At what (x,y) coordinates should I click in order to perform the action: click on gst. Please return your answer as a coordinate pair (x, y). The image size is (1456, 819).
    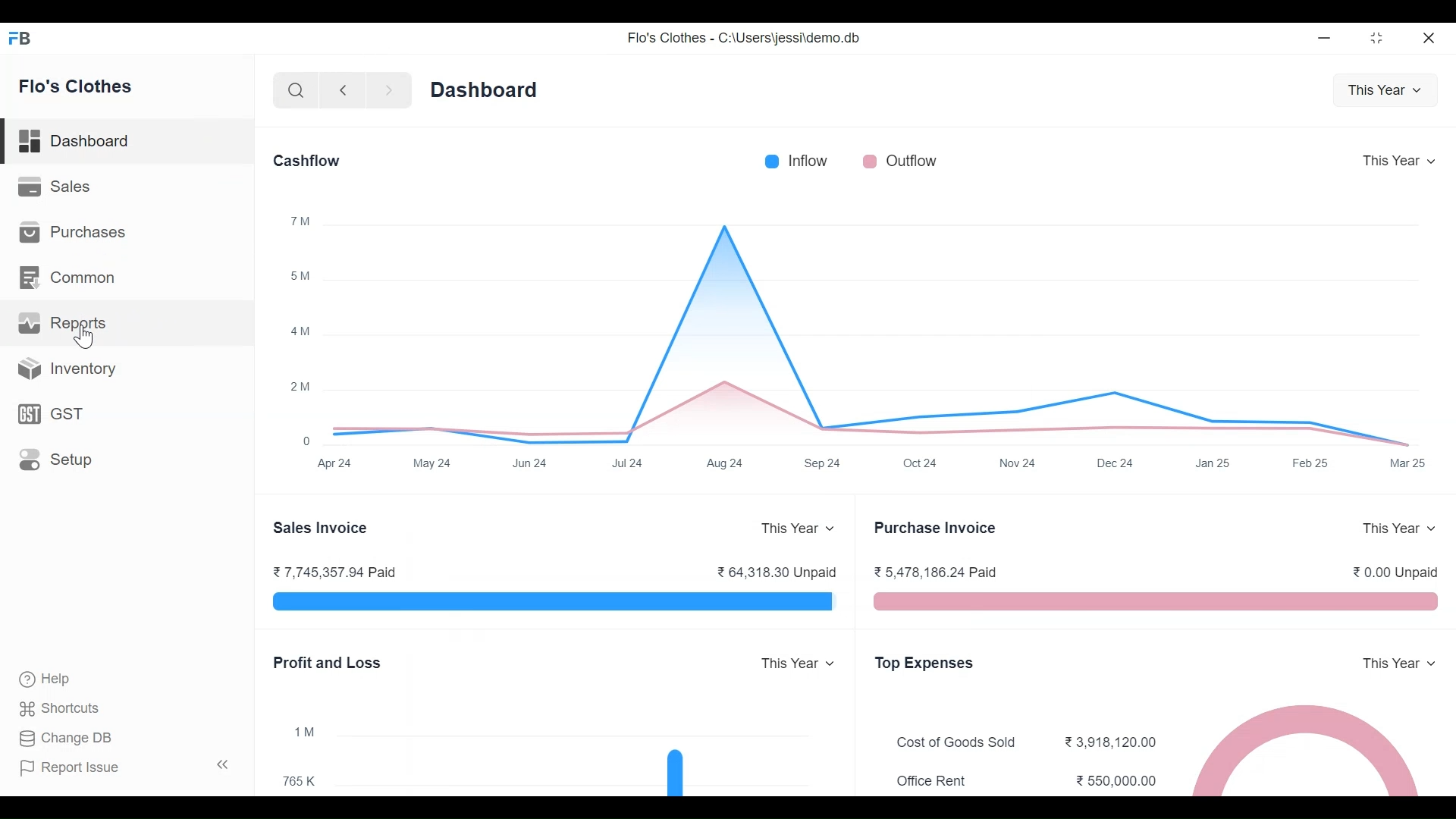
    Looking at the image, I should click on (52, 414).